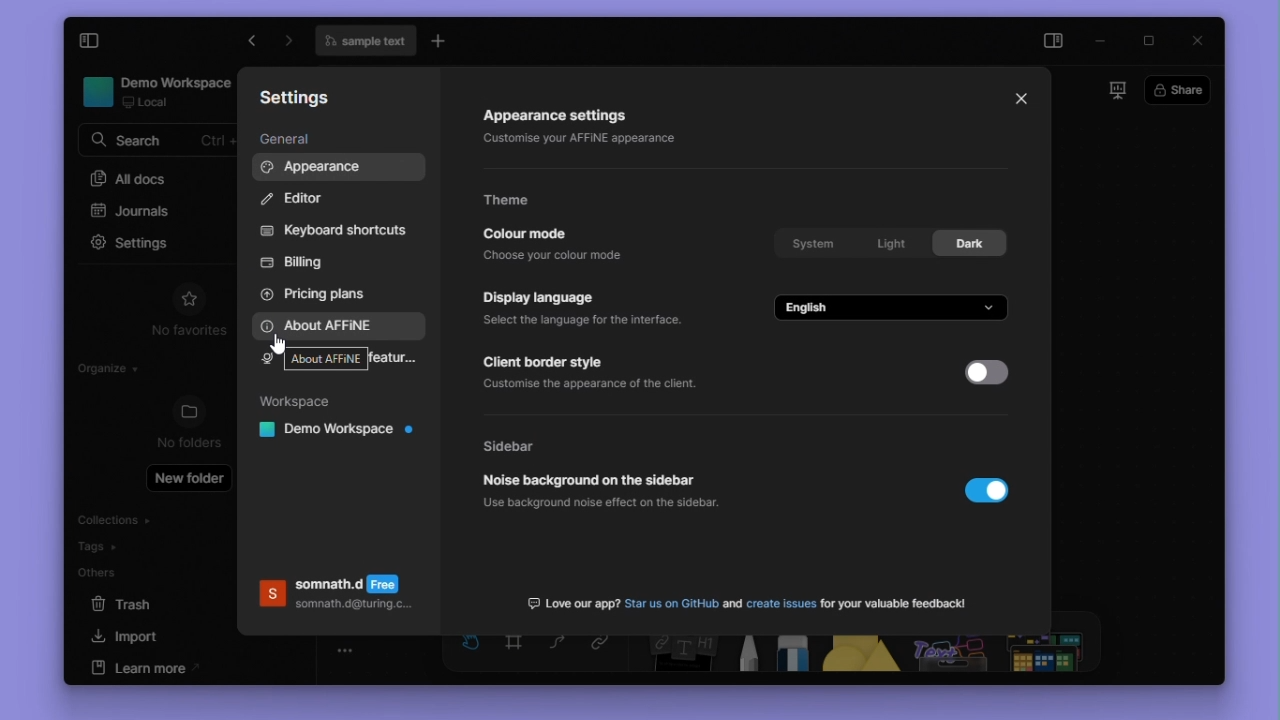 The image size is (1280, 720). Describe the element at coordinates (274, 346) in the screenshot. I see `cursor` at that location.